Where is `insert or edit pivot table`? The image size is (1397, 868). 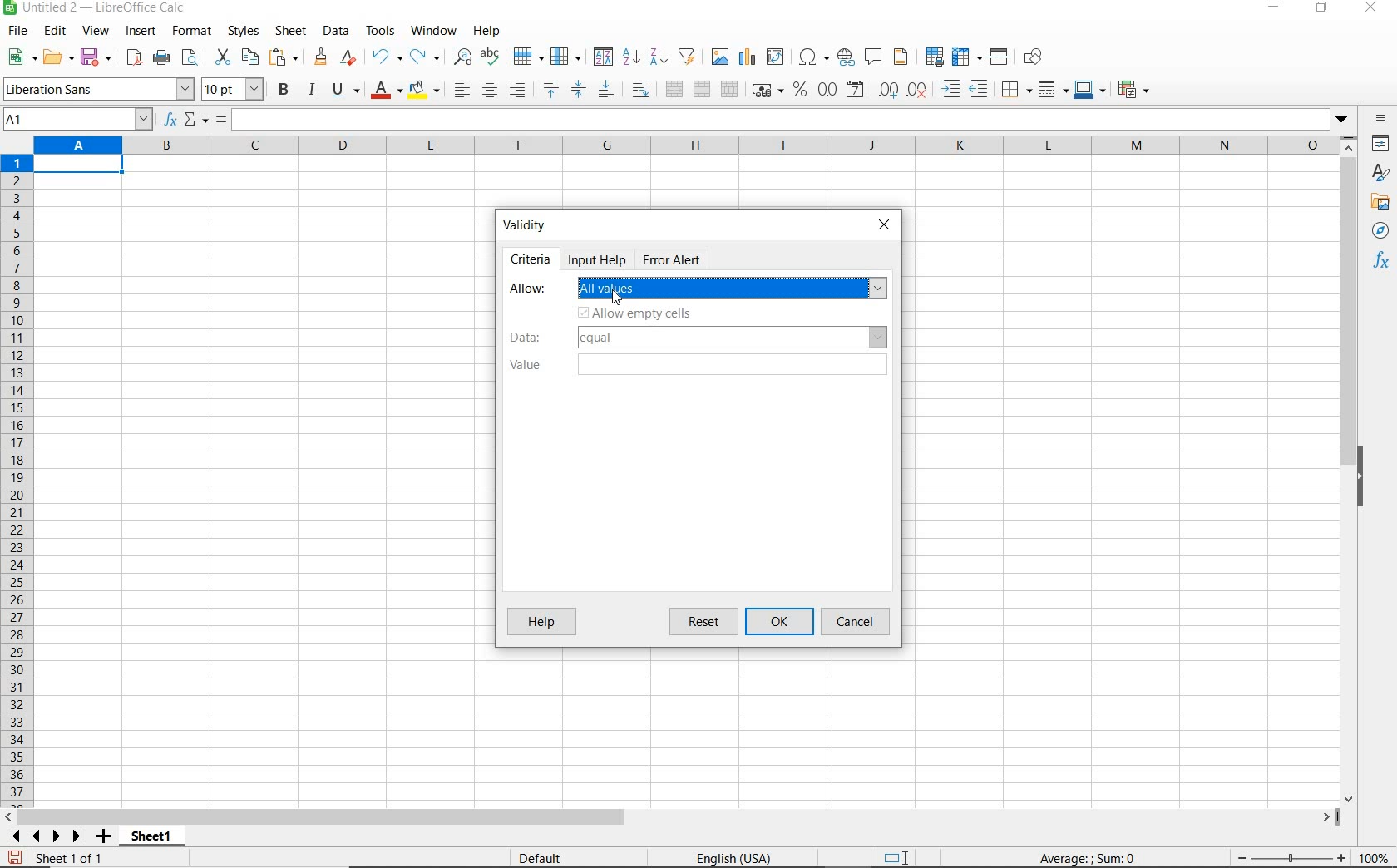
insert or edit pivot table is located at coordinates (777, 57).